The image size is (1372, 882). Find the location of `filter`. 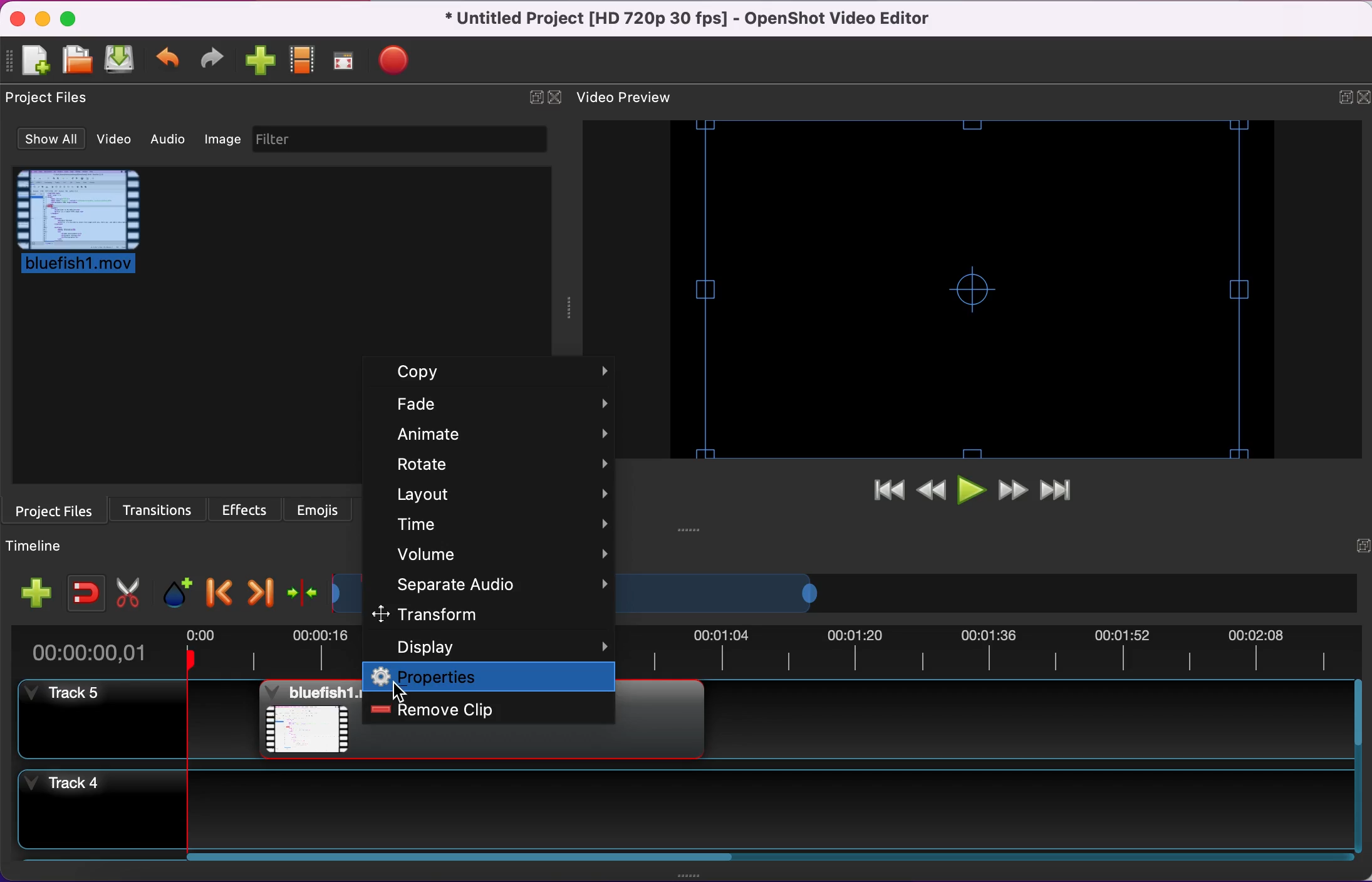

filter is located at coordinates (411, 138).